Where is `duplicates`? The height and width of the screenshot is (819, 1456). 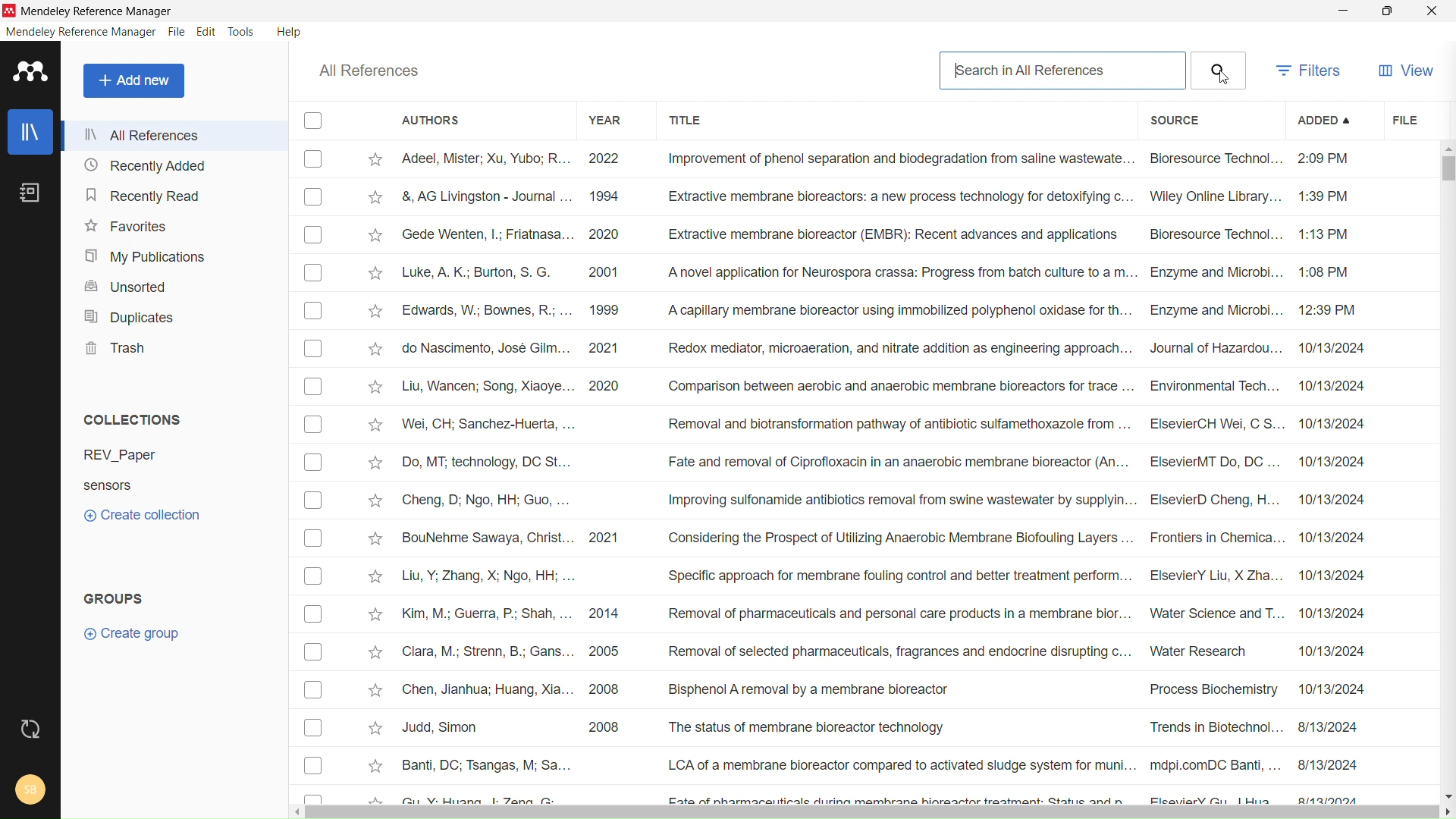
duplicates is located at coordinates (174, 316).